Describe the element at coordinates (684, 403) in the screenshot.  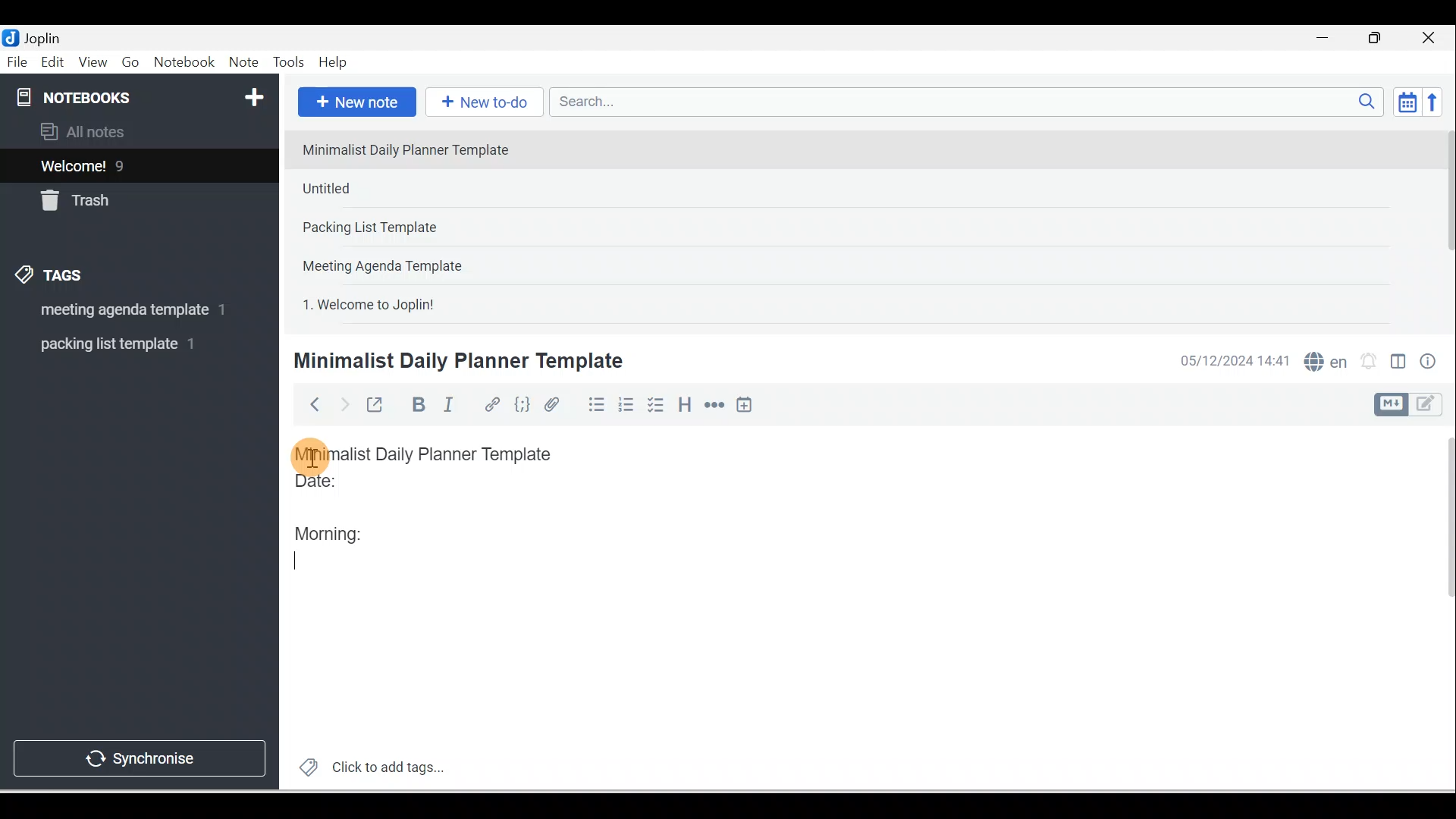
I see `Heading` at that location.